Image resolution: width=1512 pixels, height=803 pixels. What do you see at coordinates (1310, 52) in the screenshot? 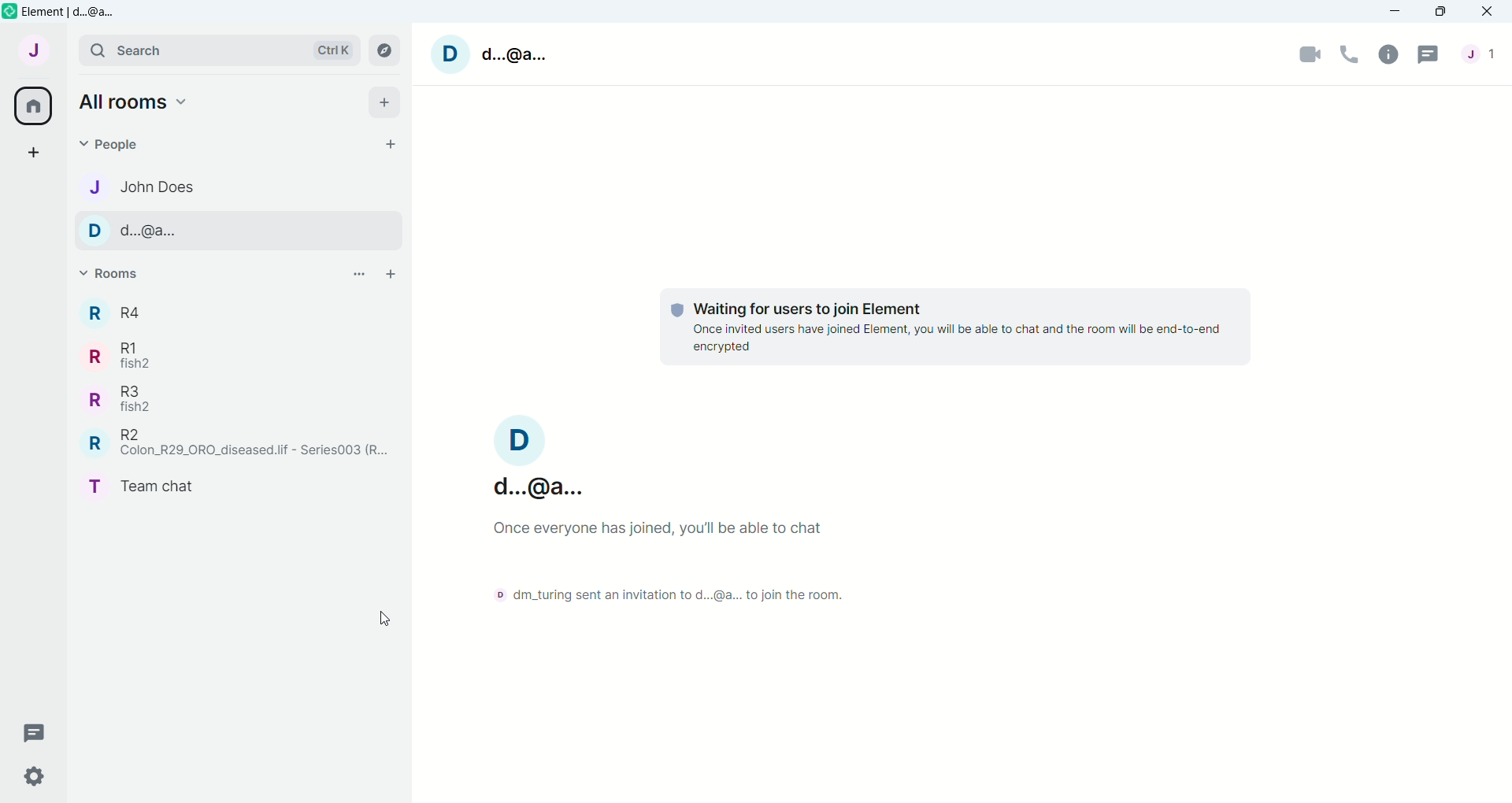
I see `Video call` at bounding box center [1310, 52].